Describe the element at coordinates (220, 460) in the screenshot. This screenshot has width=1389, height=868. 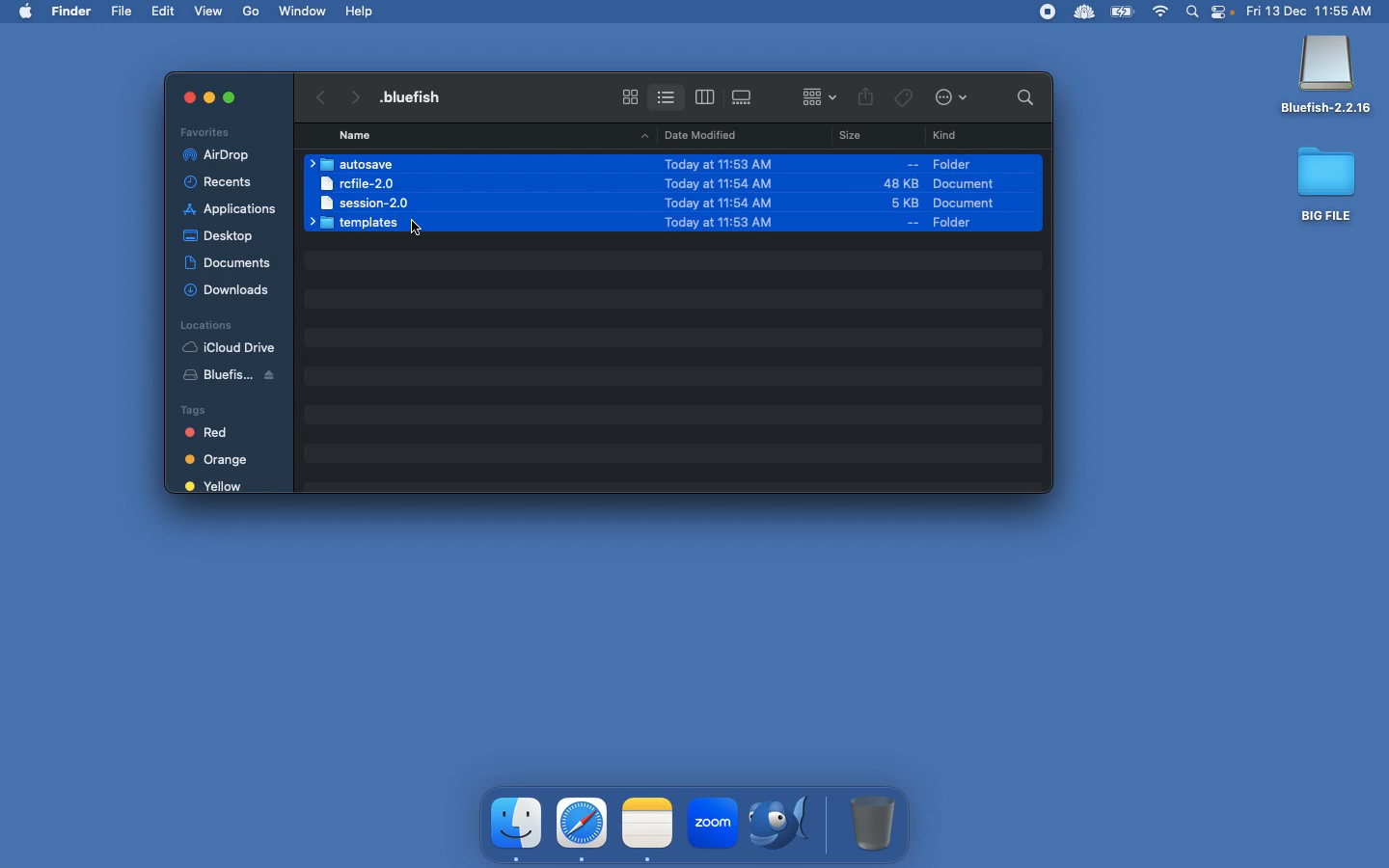
I see `orange` at that location.